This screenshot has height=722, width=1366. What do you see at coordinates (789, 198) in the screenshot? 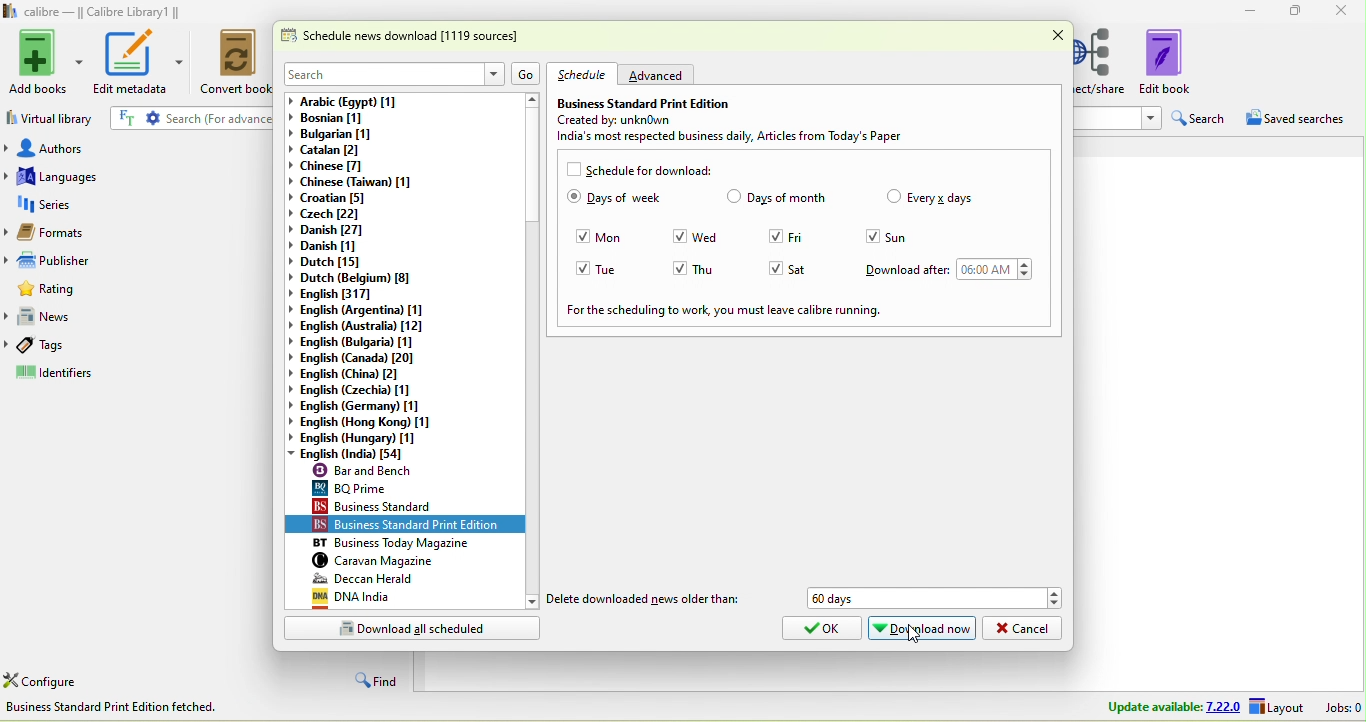
I see `days of month` at bounding box center [789, 198].